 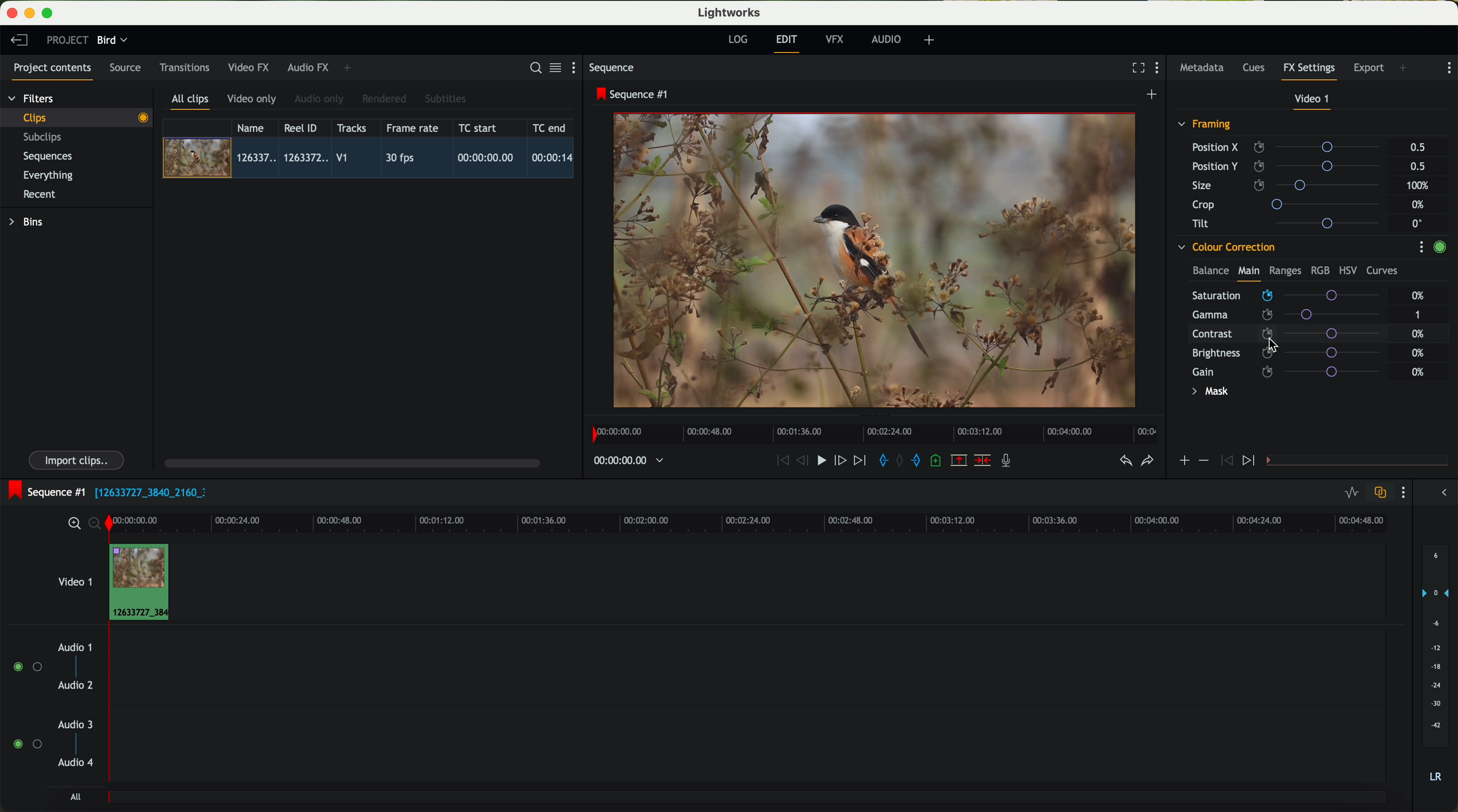 I want to click on crop, so click(x=1290, y=204).